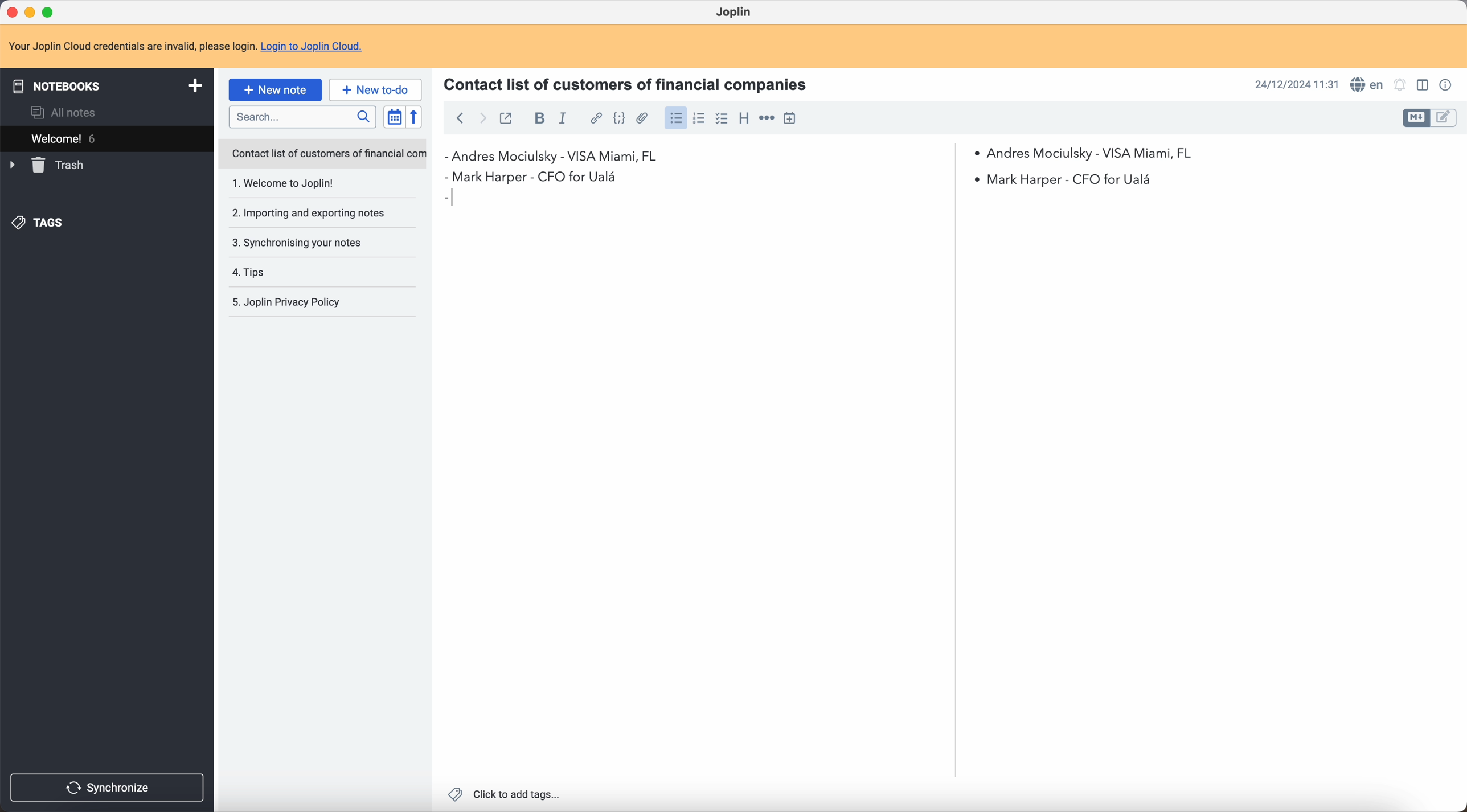 The image size is (1467, 812). What do you see at coordinates (392, 117) in the screenshot?
I see `toggle sort order field` at bounding box center [392, 117].